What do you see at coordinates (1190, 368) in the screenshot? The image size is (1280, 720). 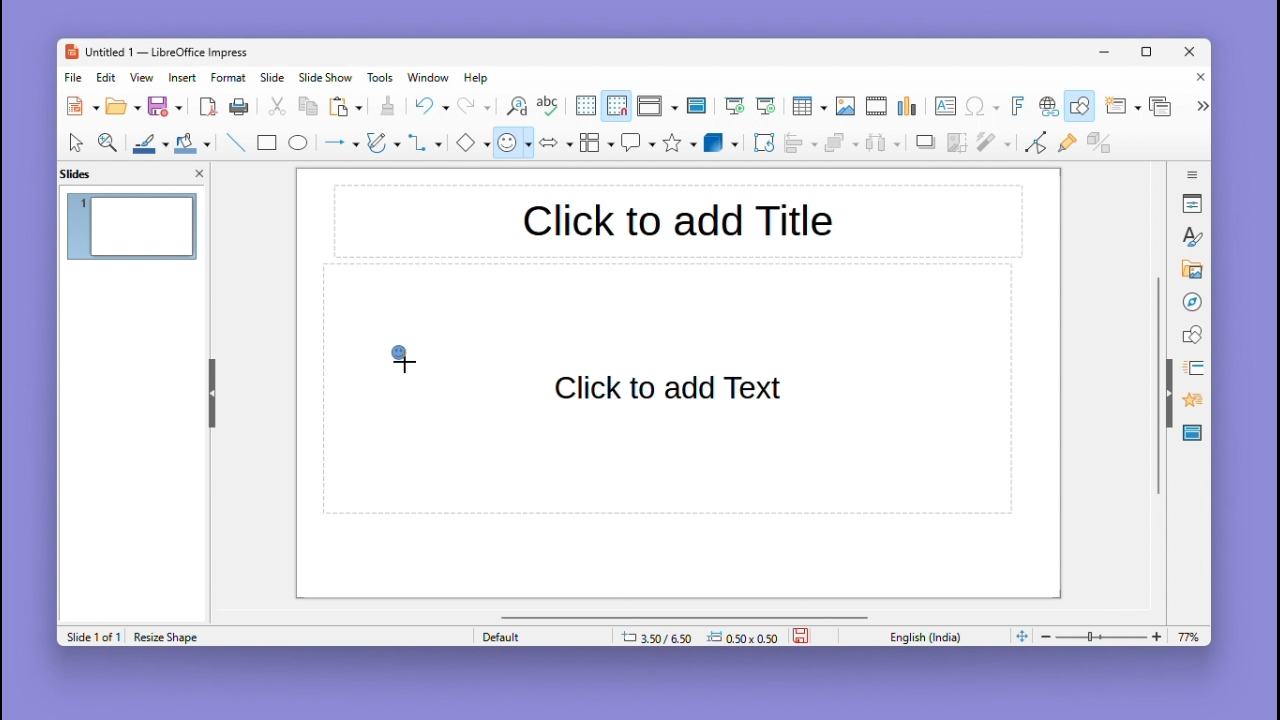 I see `Animation` at bounding box center [1190, 368].